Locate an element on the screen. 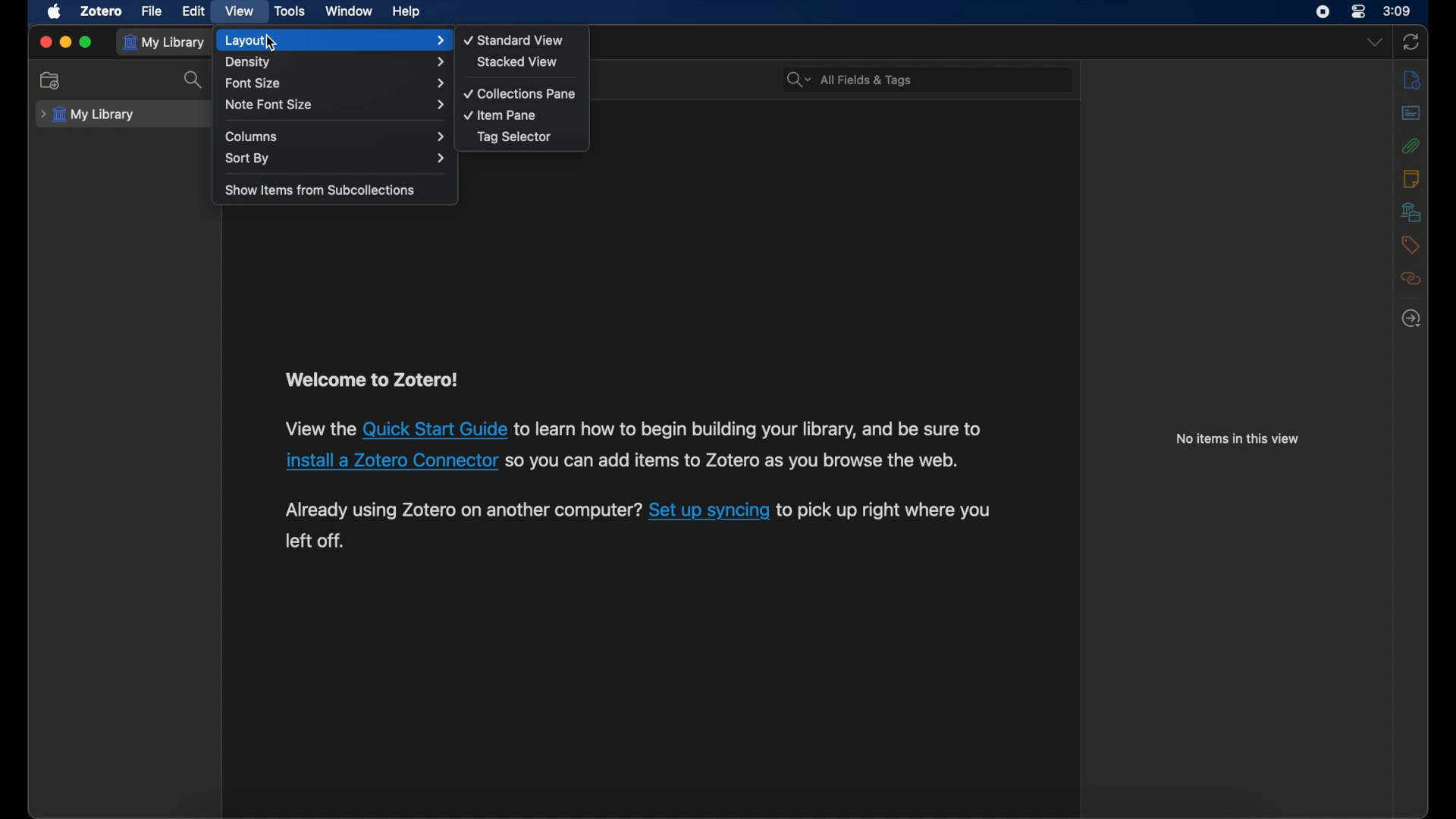 The width and height of the screenshot is (1456, 819). stacked view is located at coordinates (517, 61).